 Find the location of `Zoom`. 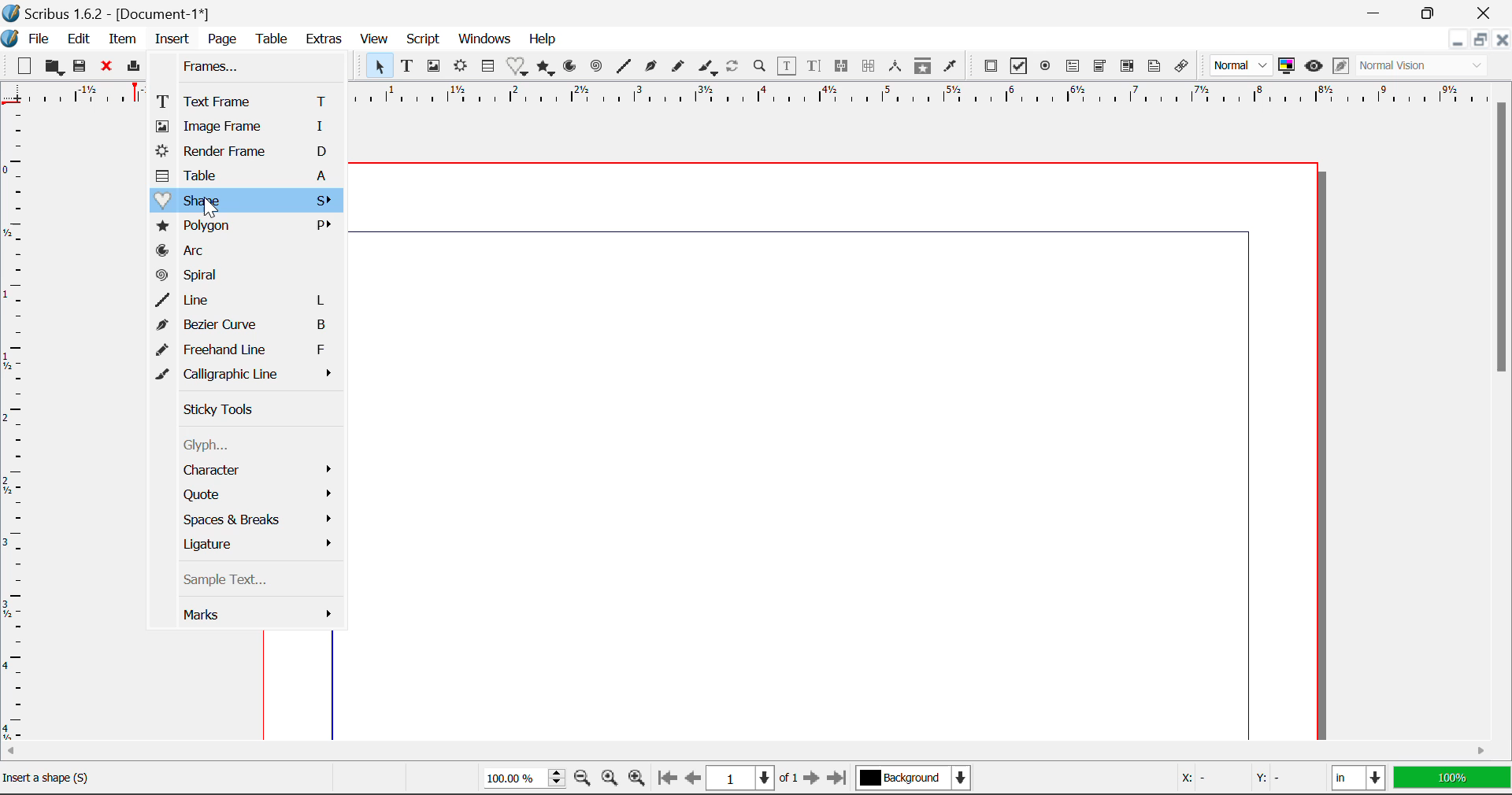

Zoom is located at coordinates (762, 68).